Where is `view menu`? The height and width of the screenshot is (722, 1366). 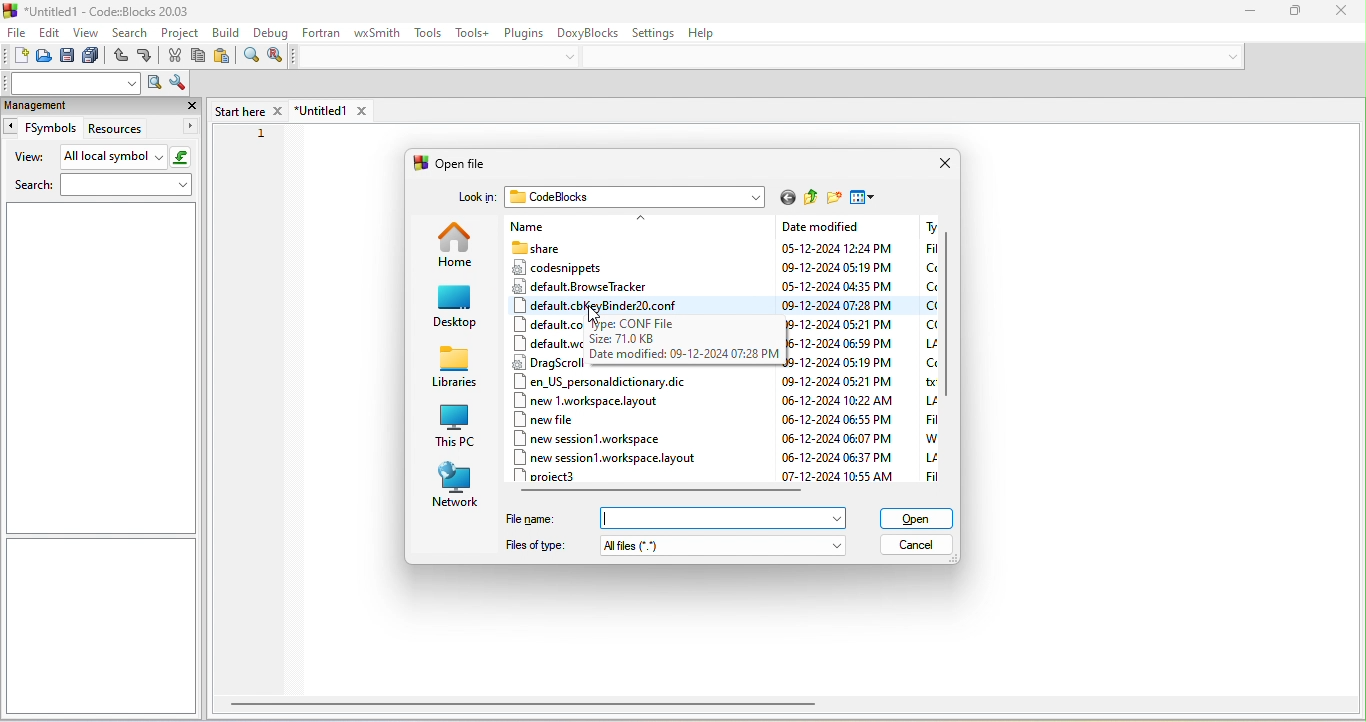
view menu is located at coordinates (865, 197).